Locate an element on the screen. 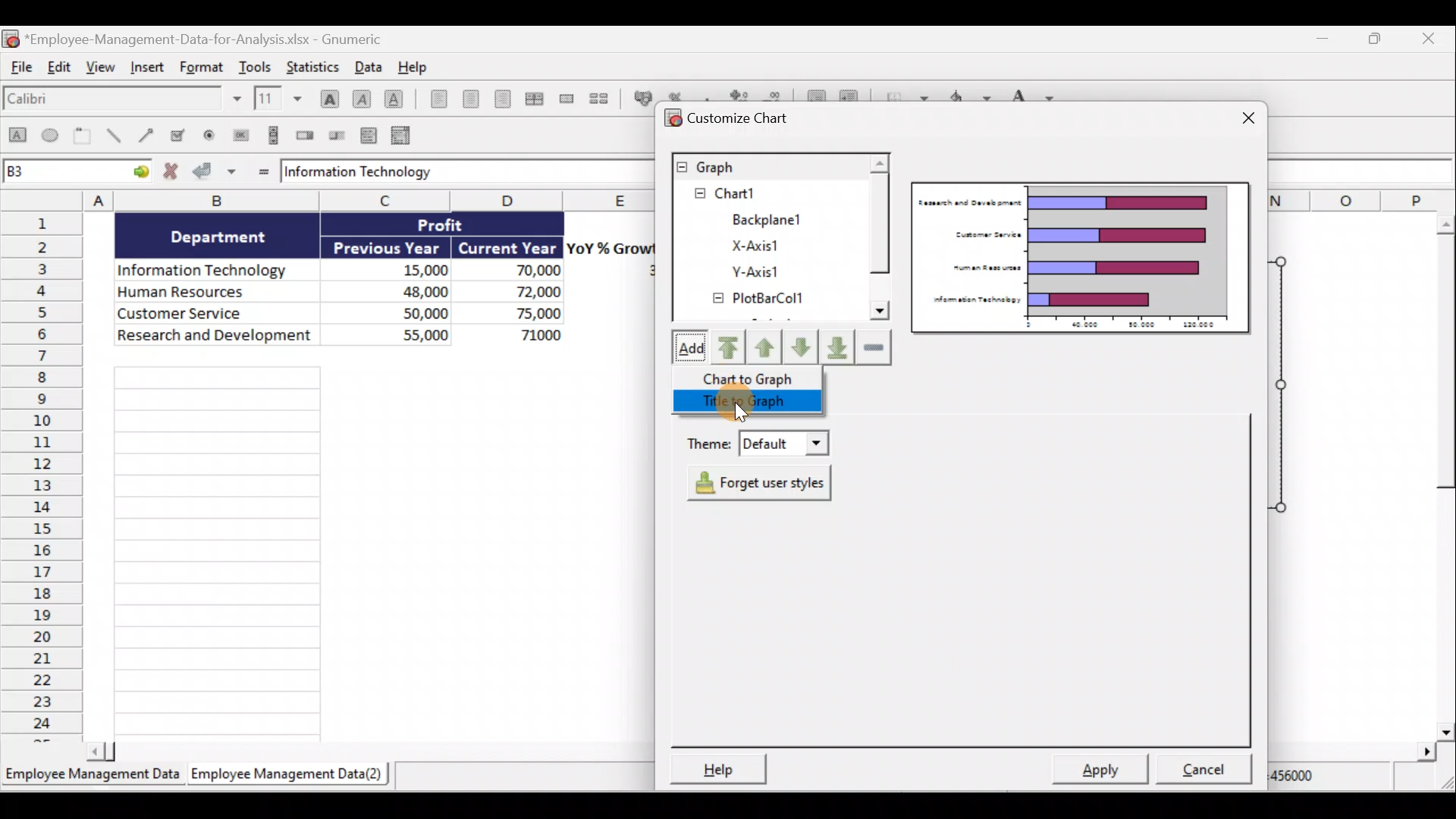 This screenshot has height=819, width=1456. Cancel change is located at coordinates (171, 173).